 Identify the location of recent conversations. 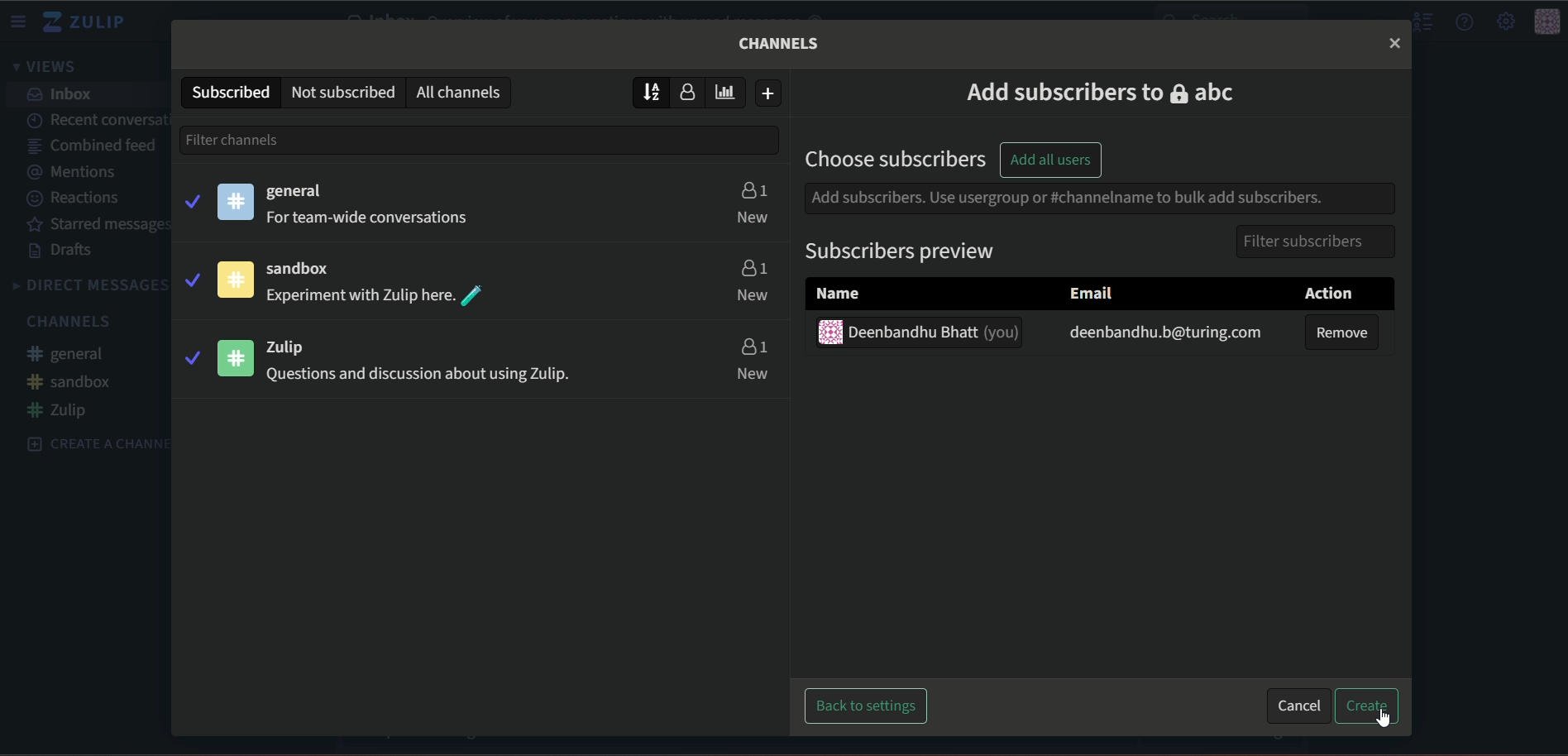
(98, 117).